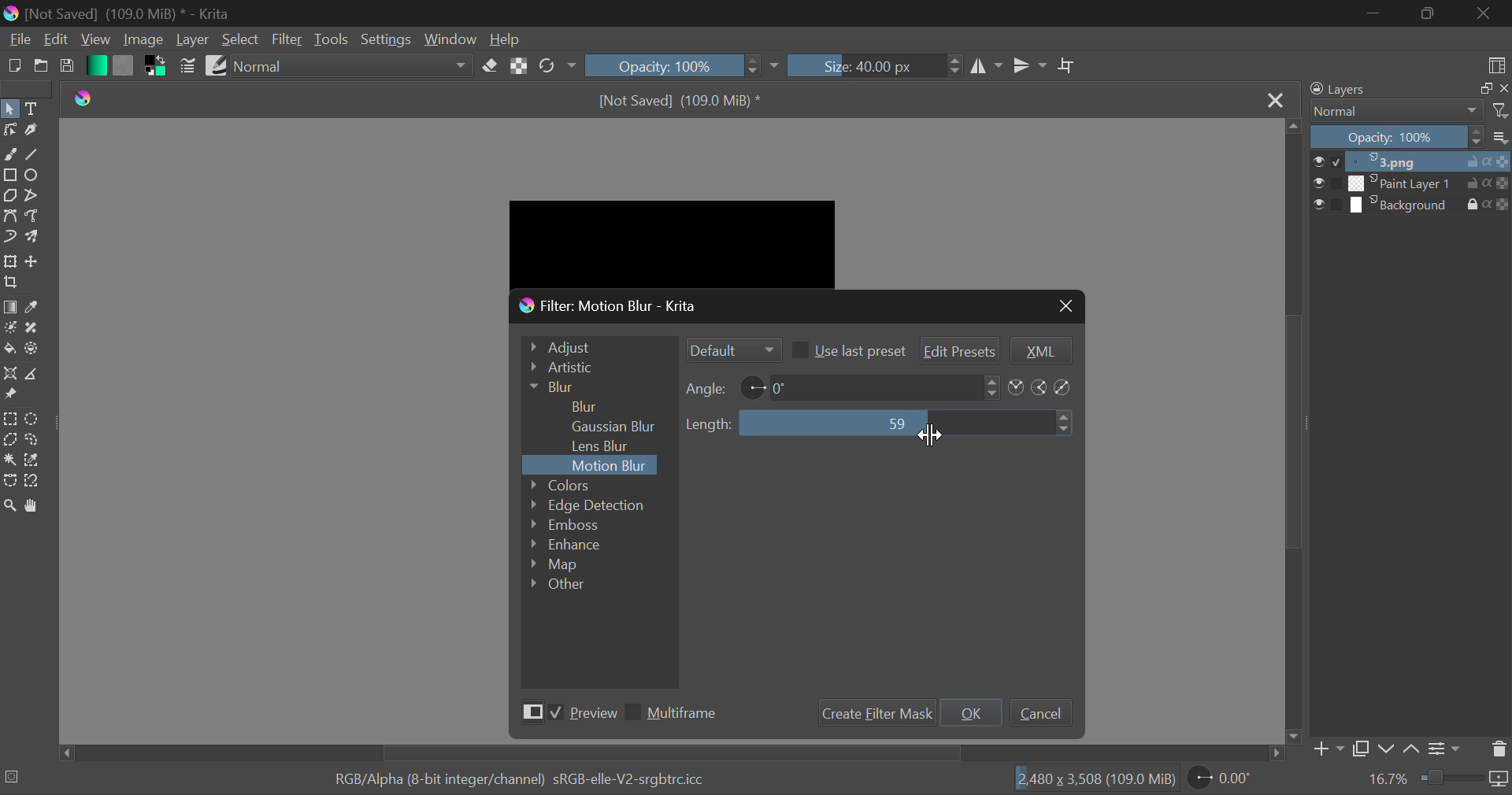 The height and width of the screenshot is (795, 1512). I want to click on Filter Mode, so click(732, 349).